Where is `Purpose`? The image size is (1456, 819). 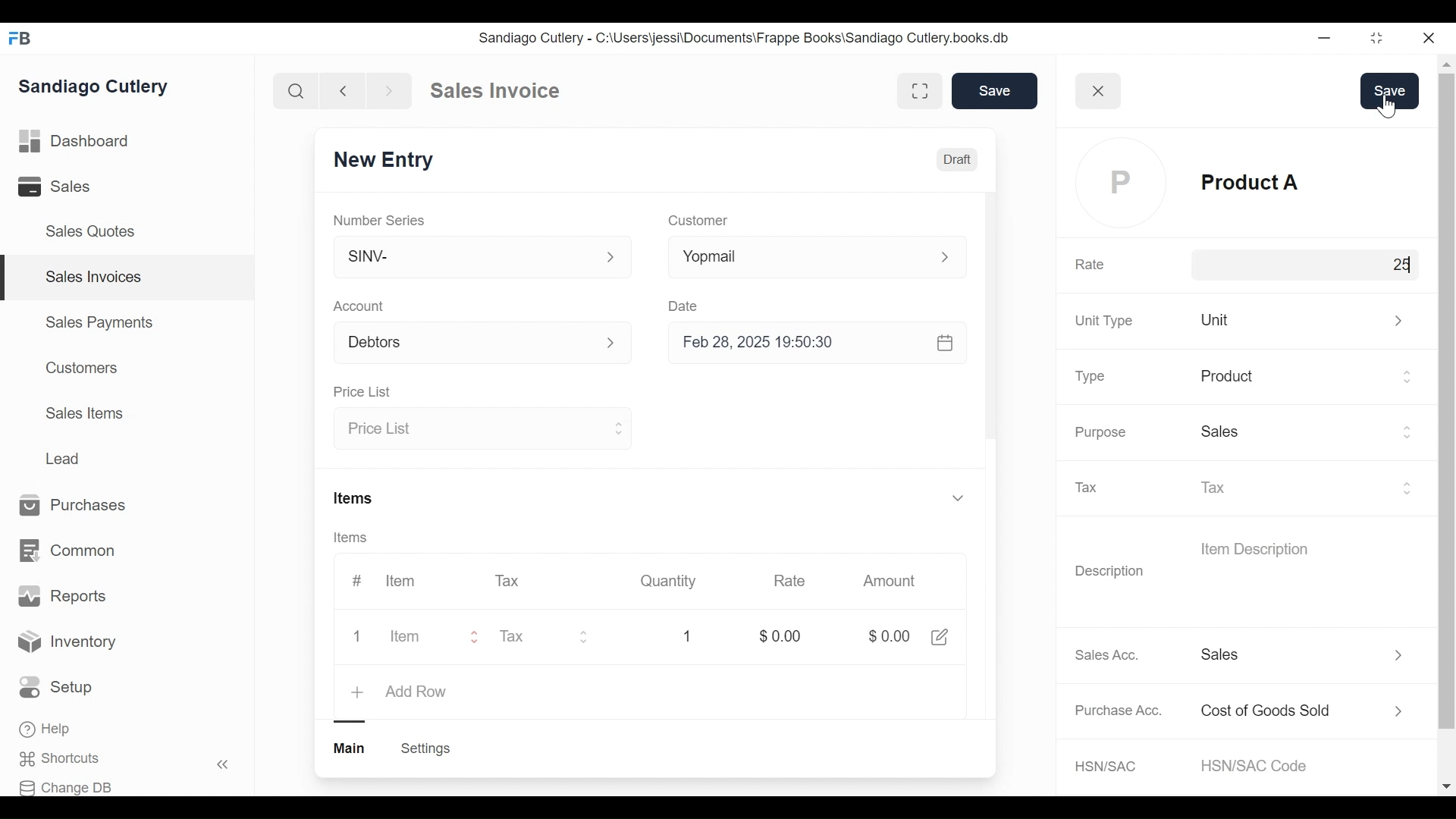
Purpose is located at coordinates (1100, 432).